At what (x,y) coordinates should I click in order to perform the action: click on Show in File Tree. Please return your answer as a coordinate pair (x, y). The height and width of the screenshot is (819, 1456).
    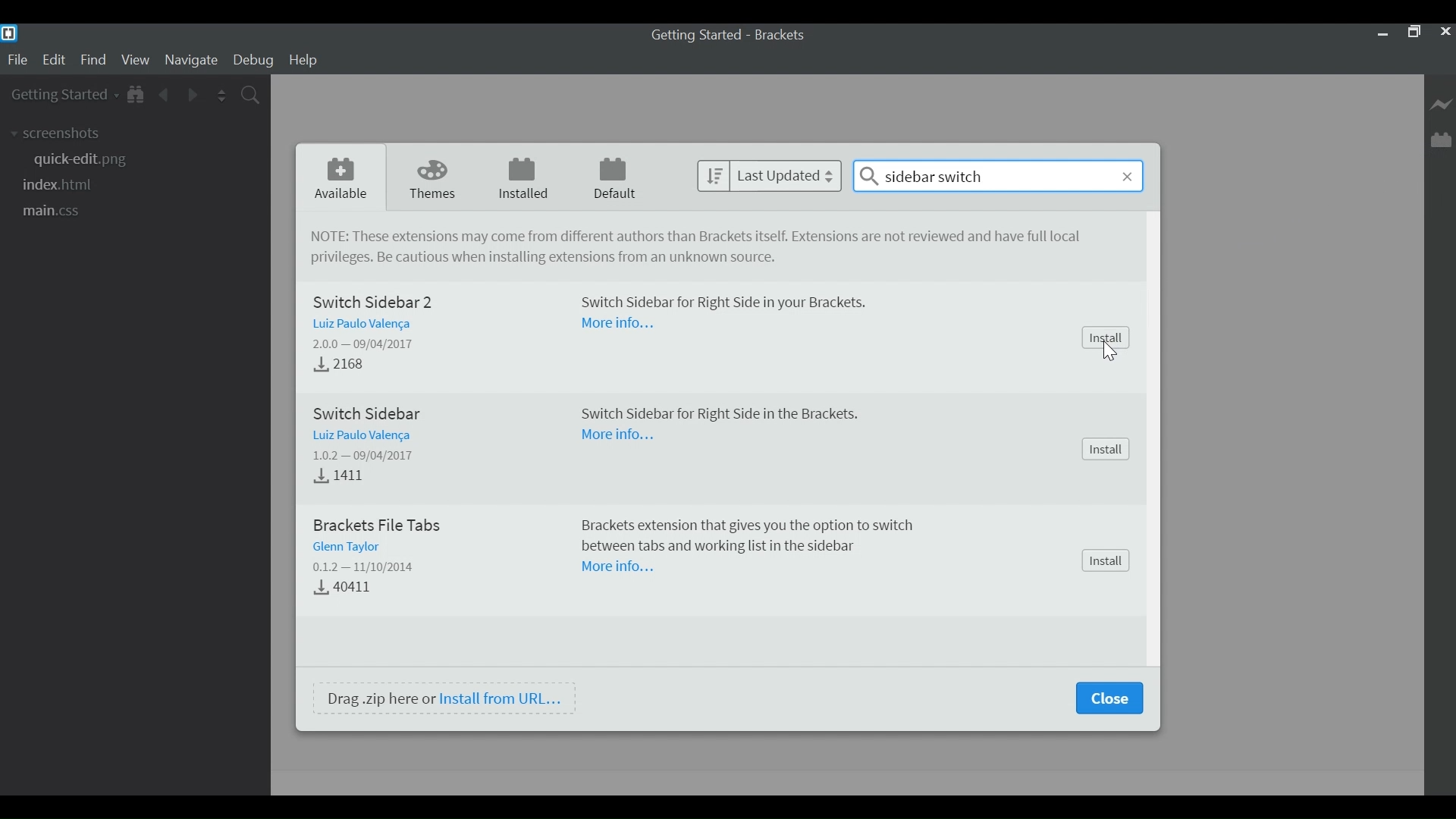
    Looking at the image, I should click on (136, 93).